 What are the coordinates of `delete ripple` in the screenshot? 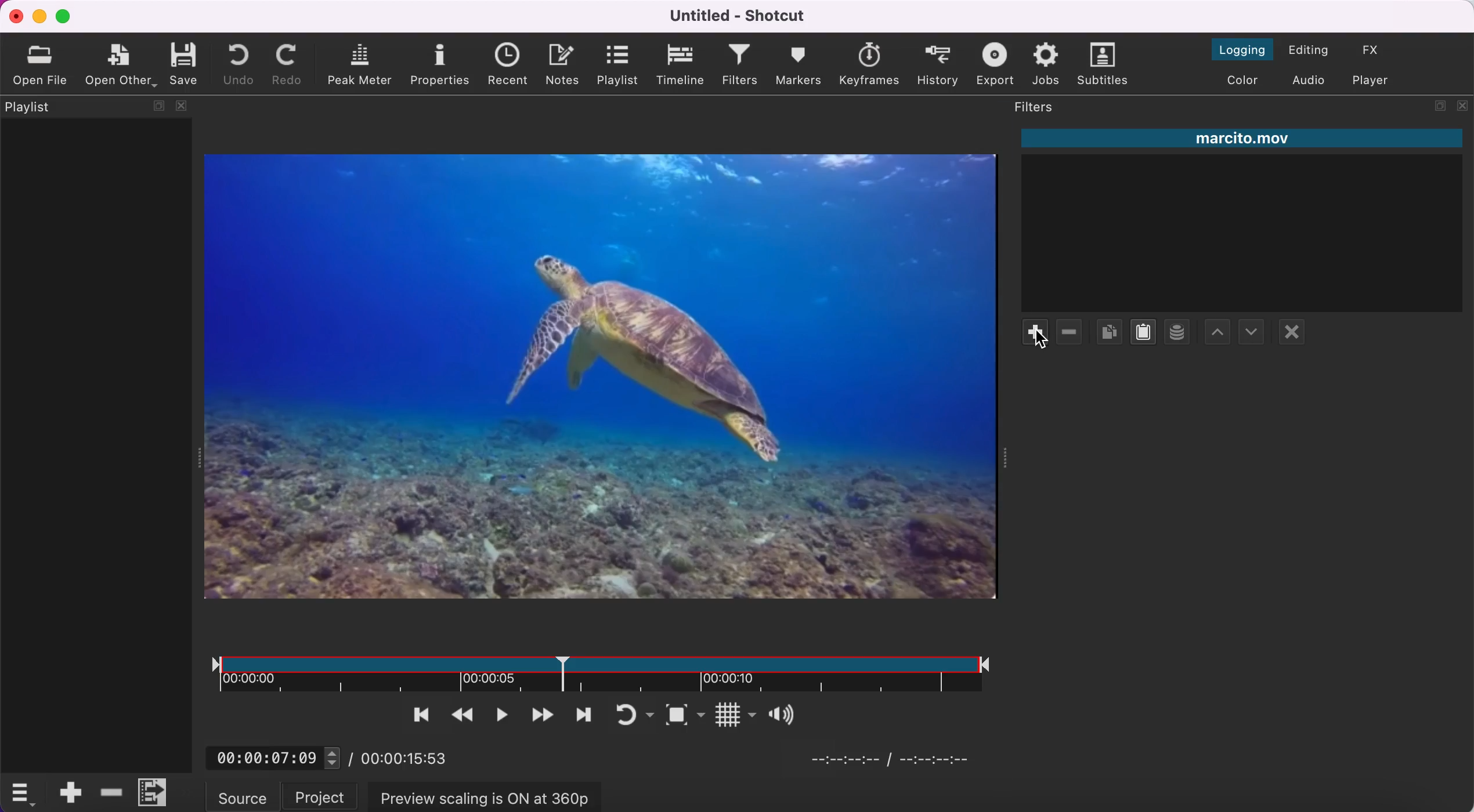 It's located at (110, 793).